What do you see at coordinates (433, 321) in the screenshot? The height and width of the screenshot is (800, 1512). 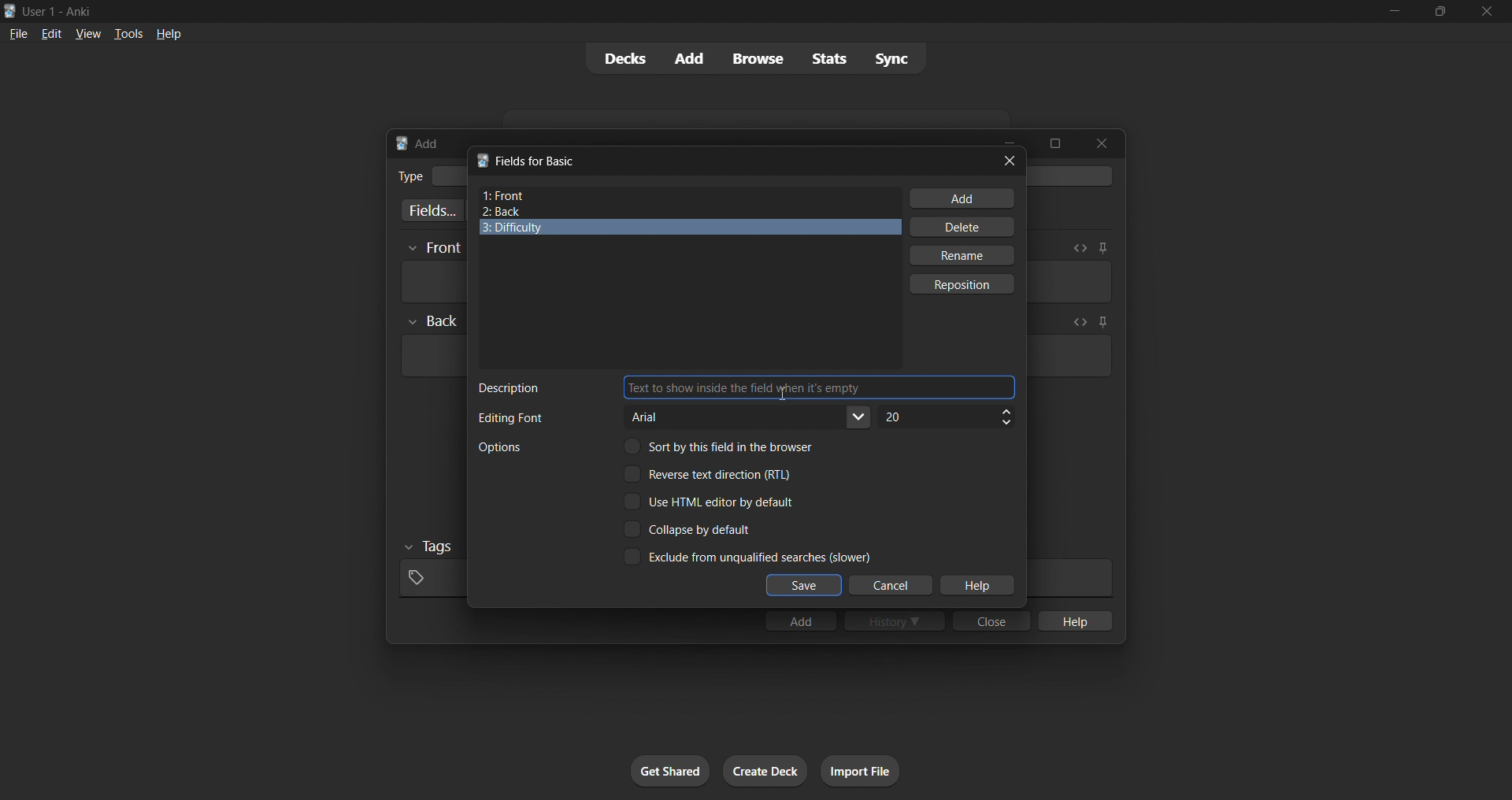 I see `` at bounding box center [433, 321].